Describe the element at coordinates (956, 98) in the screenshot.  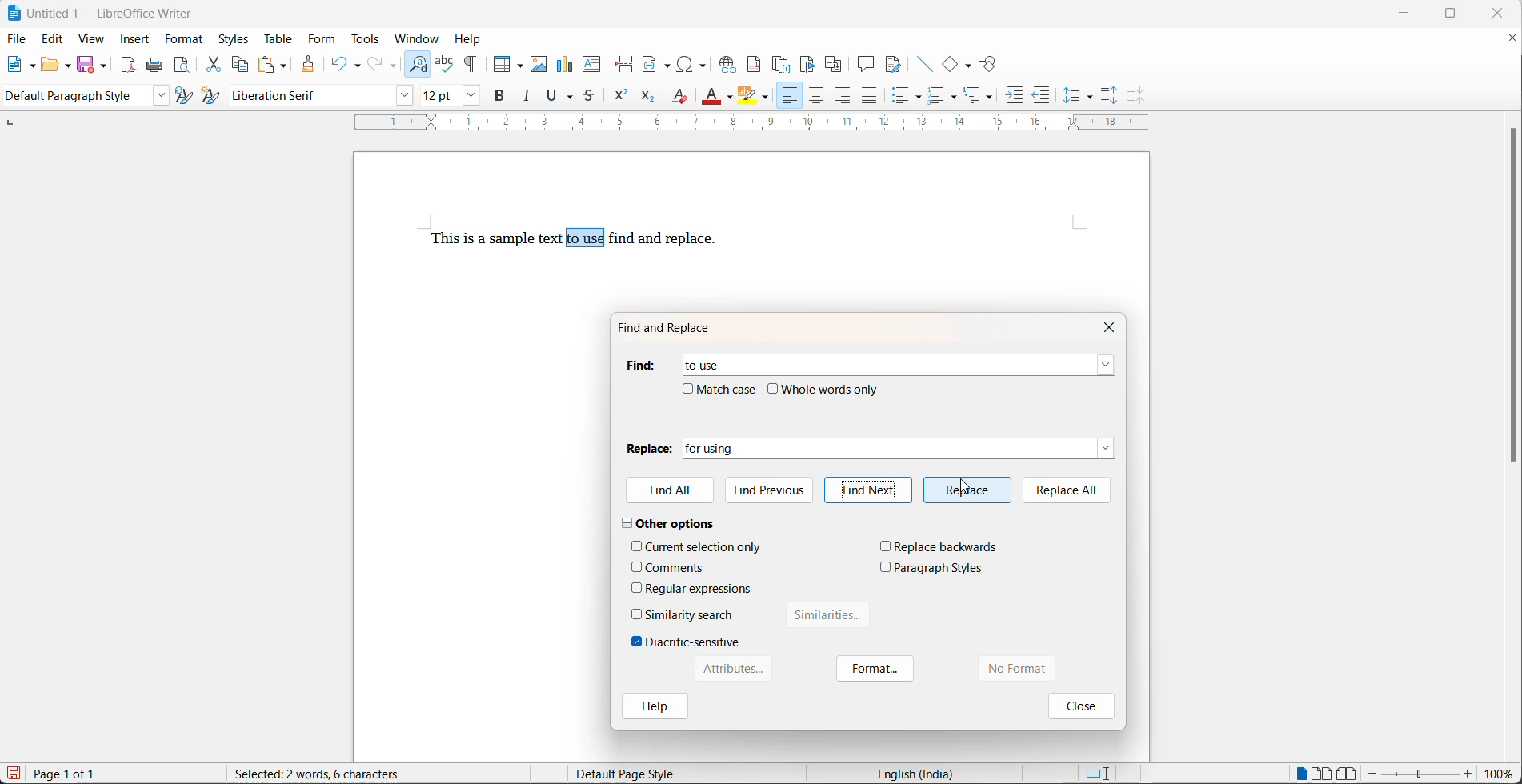
I see `toggle ordered list options` at that location.